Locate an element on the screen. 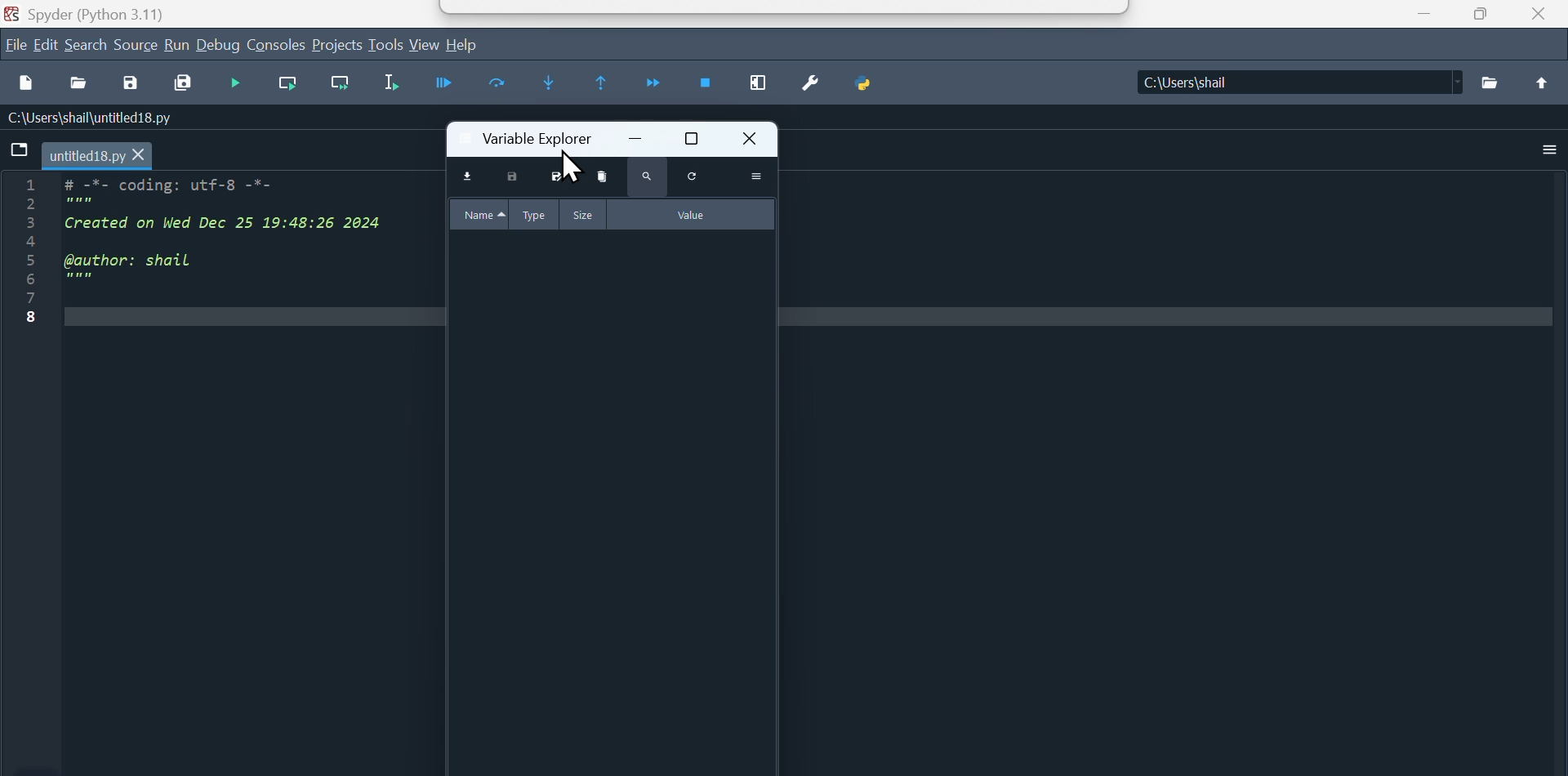 Image resolution: width=1568 pixels, height=776 pixels. import is located at coordinates (466, 178).